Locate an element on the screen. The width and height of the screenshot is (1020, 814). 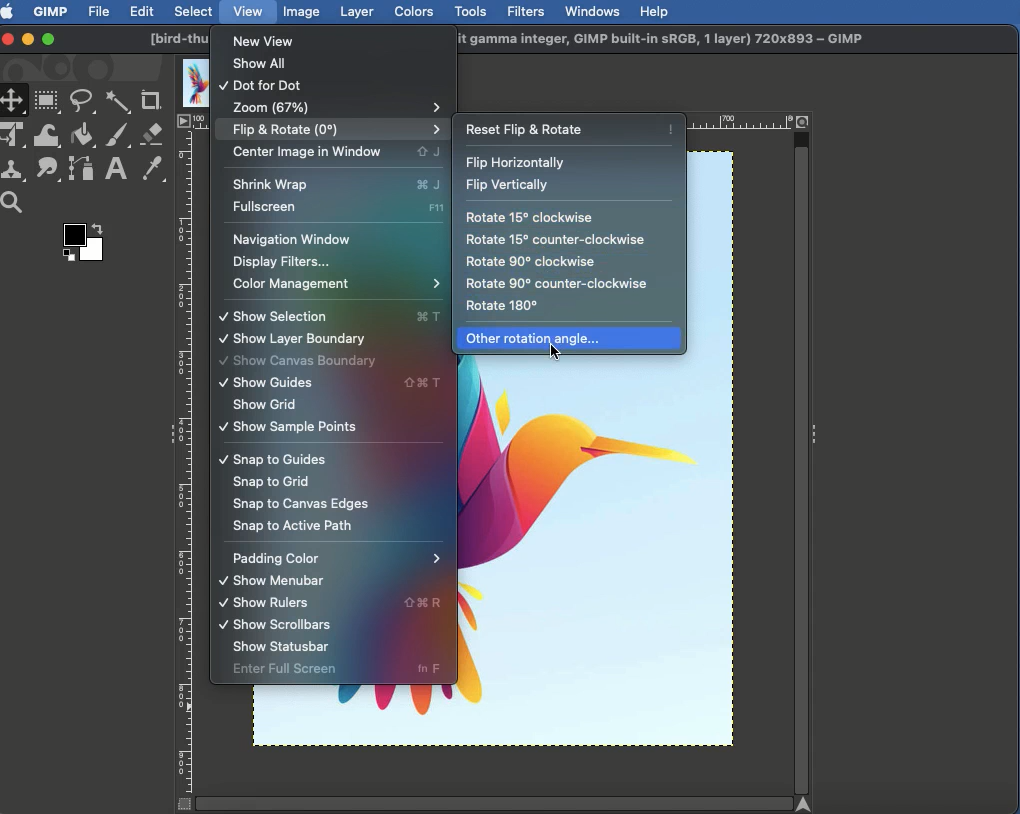
Enter full screen is located at coordinates (304, 670).